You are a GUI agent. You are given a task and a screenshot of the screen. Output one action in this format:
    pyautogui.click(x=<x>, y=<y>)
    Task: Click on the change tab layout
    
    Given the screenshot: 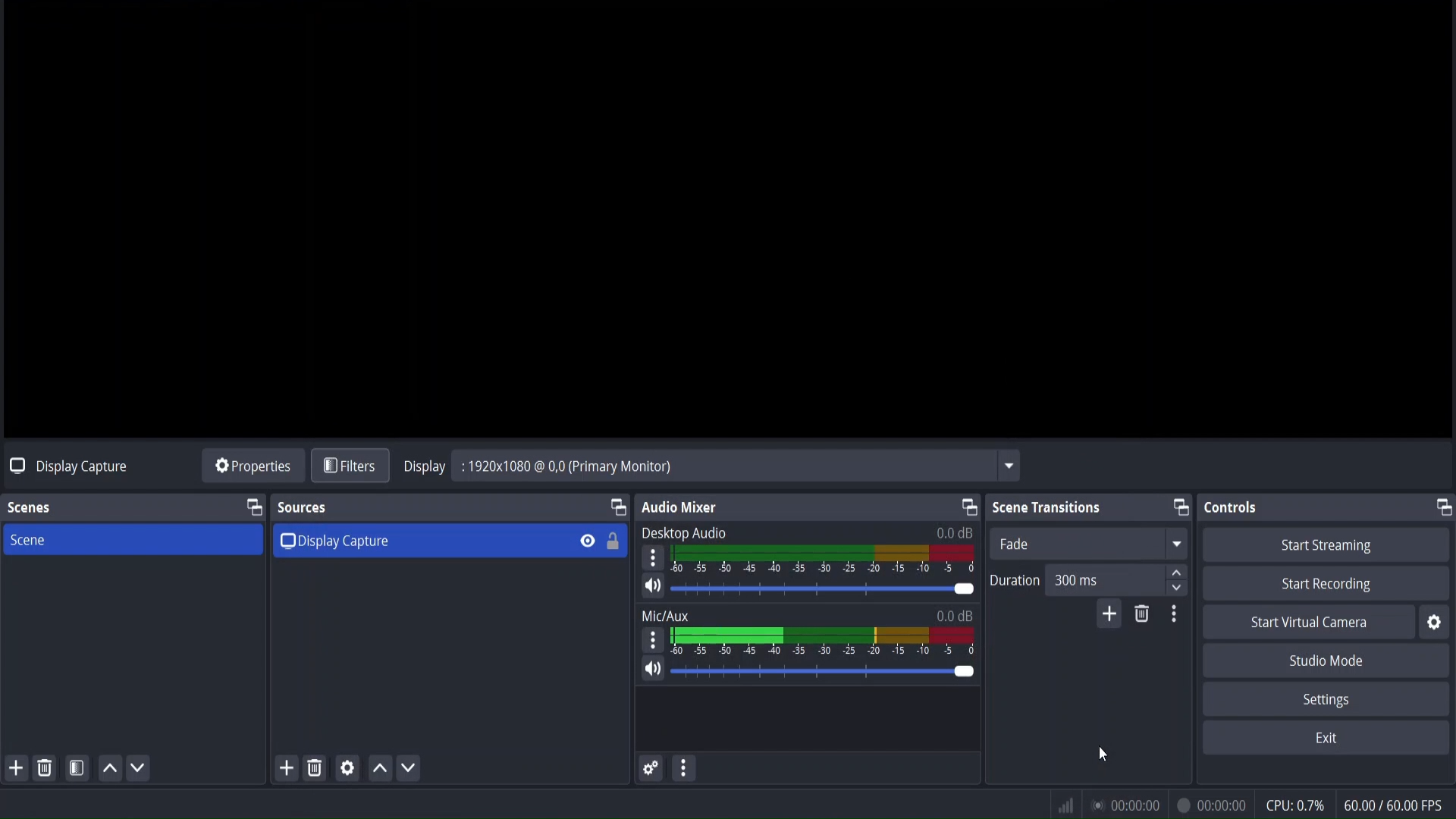 What is the action you would take?
    pyautogui.click(x=1442, y=507)
    